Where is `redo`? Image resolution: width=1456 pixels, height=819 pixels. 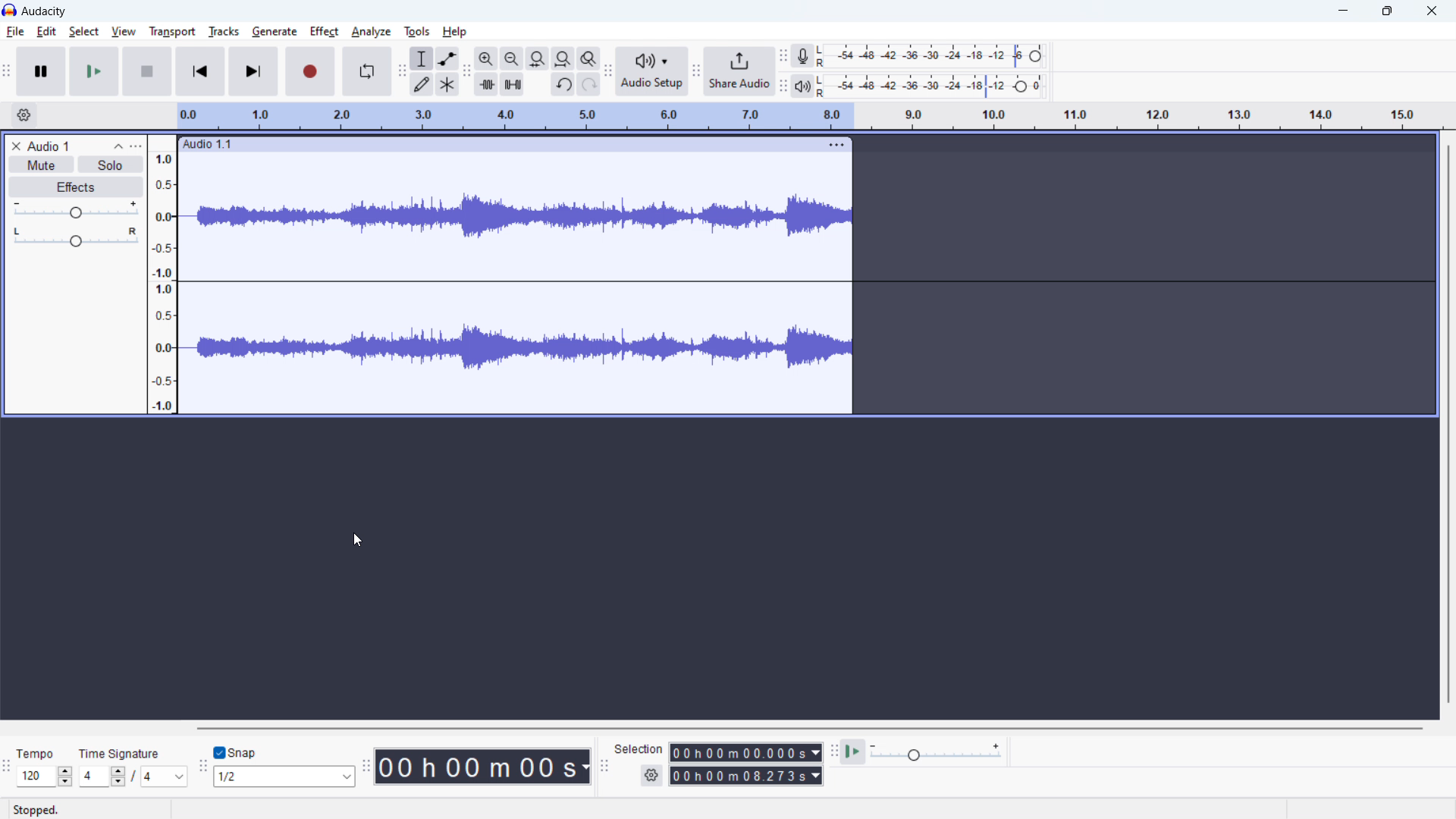 redo is located at coordinates (588, 84).